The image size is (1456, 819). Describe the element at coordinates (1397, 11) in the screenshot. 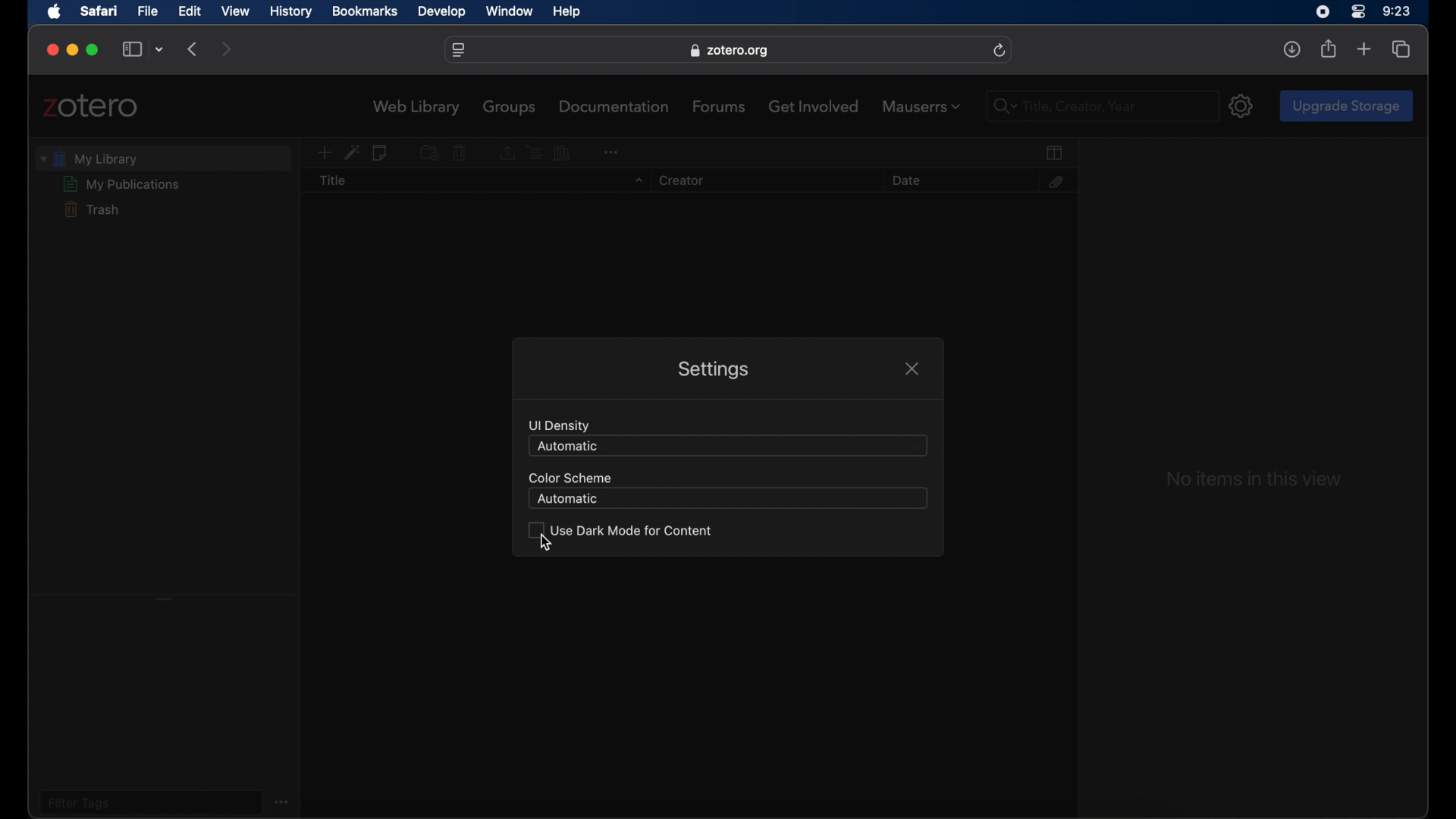

I see `time` at that location.